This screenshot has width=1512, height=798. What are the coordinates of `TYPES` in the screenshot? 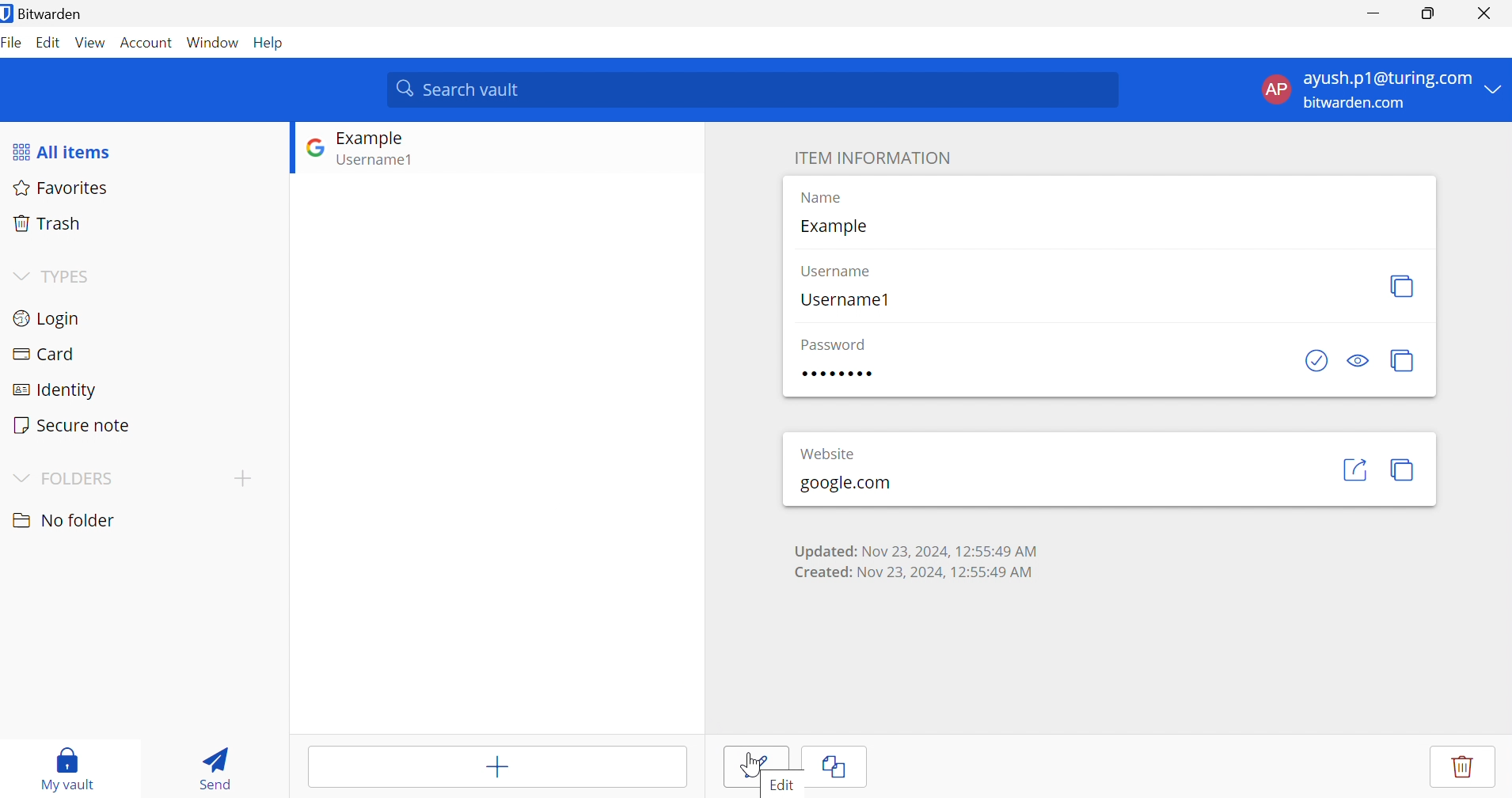 It's located at (69, 275).